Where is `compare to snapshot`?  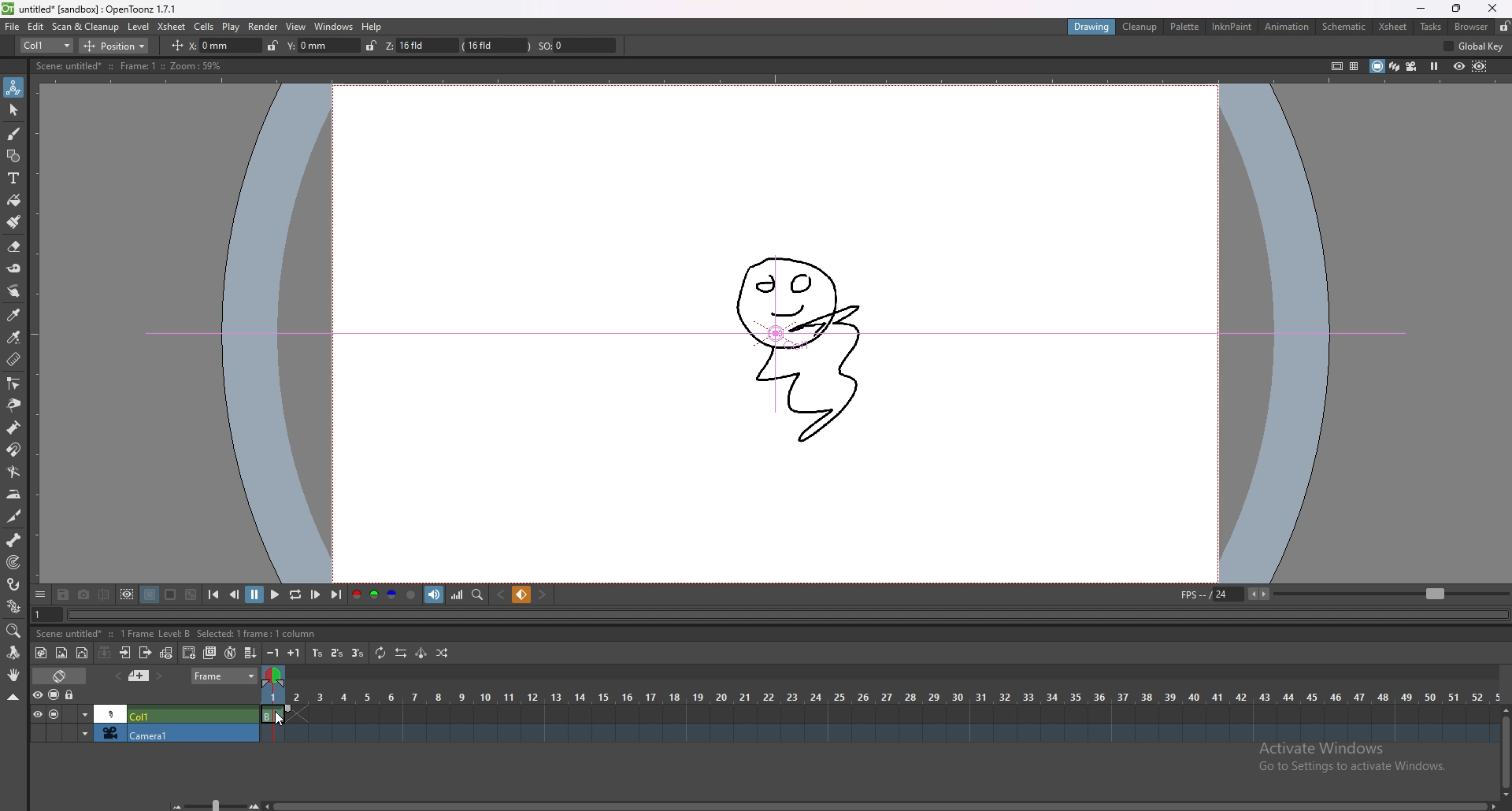 compare to snapshot is located at coordinates (104, 594).